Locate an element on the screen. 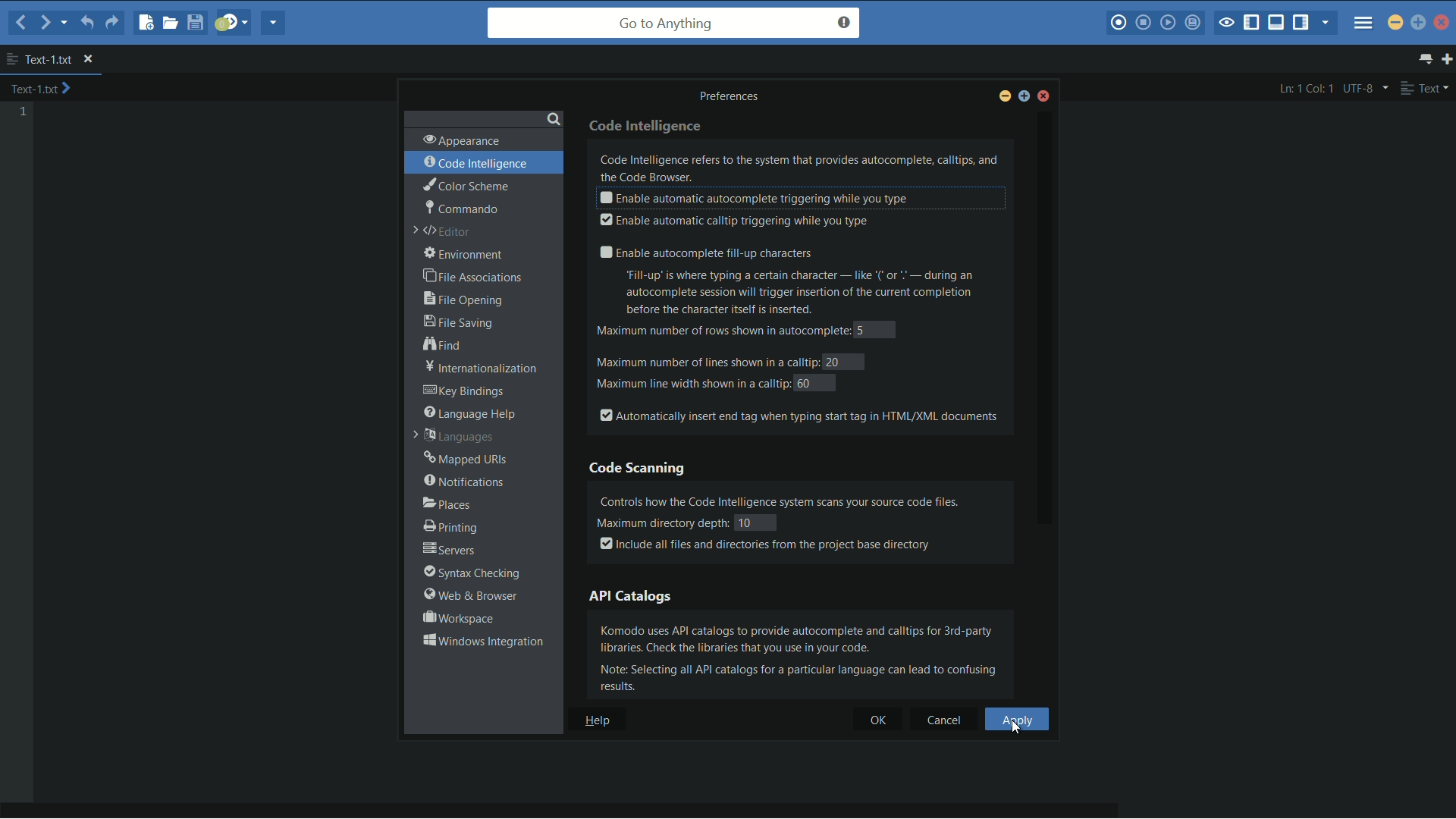 Image resolution: width=1456 pixels, height=819 pixels. cancel is located at coordinates (943, 720).